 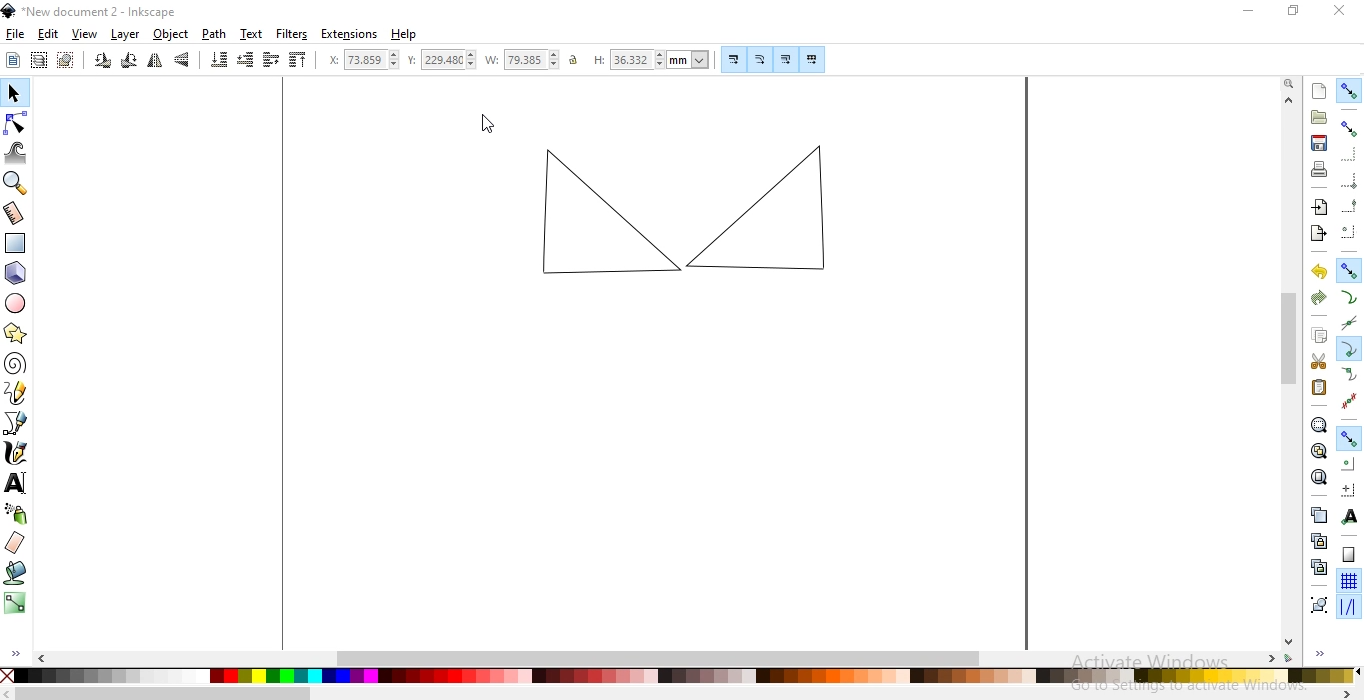 What do you see at coordinates (14, 34) in the screenshot?
I see `file` at bounding box center [14, 34].